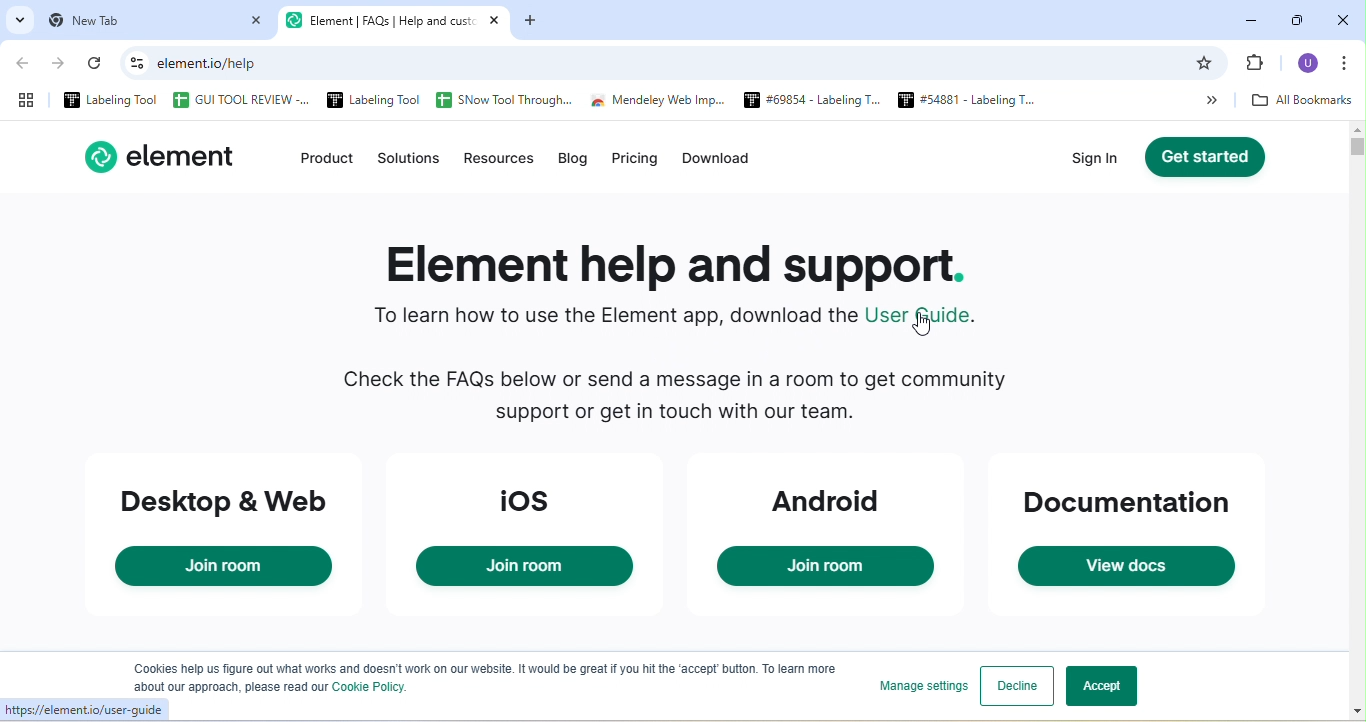  What do you see at coordinates (112, 100) in the screenshot?
I see `Labeling Tool` at bounding box center [112, 100].